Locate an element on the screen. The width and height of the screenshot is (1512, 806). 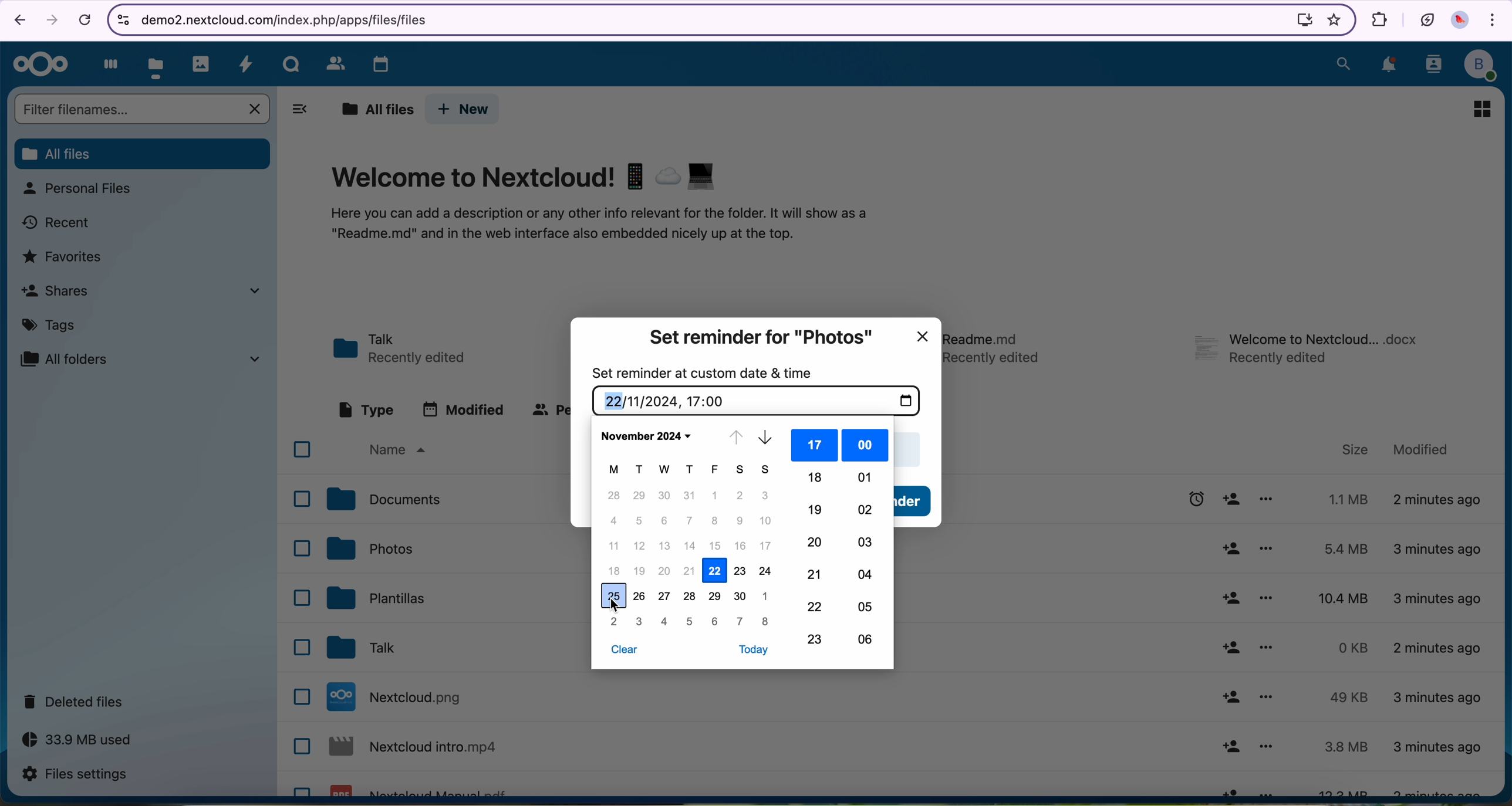
21 is located at coordinates (690, 573).